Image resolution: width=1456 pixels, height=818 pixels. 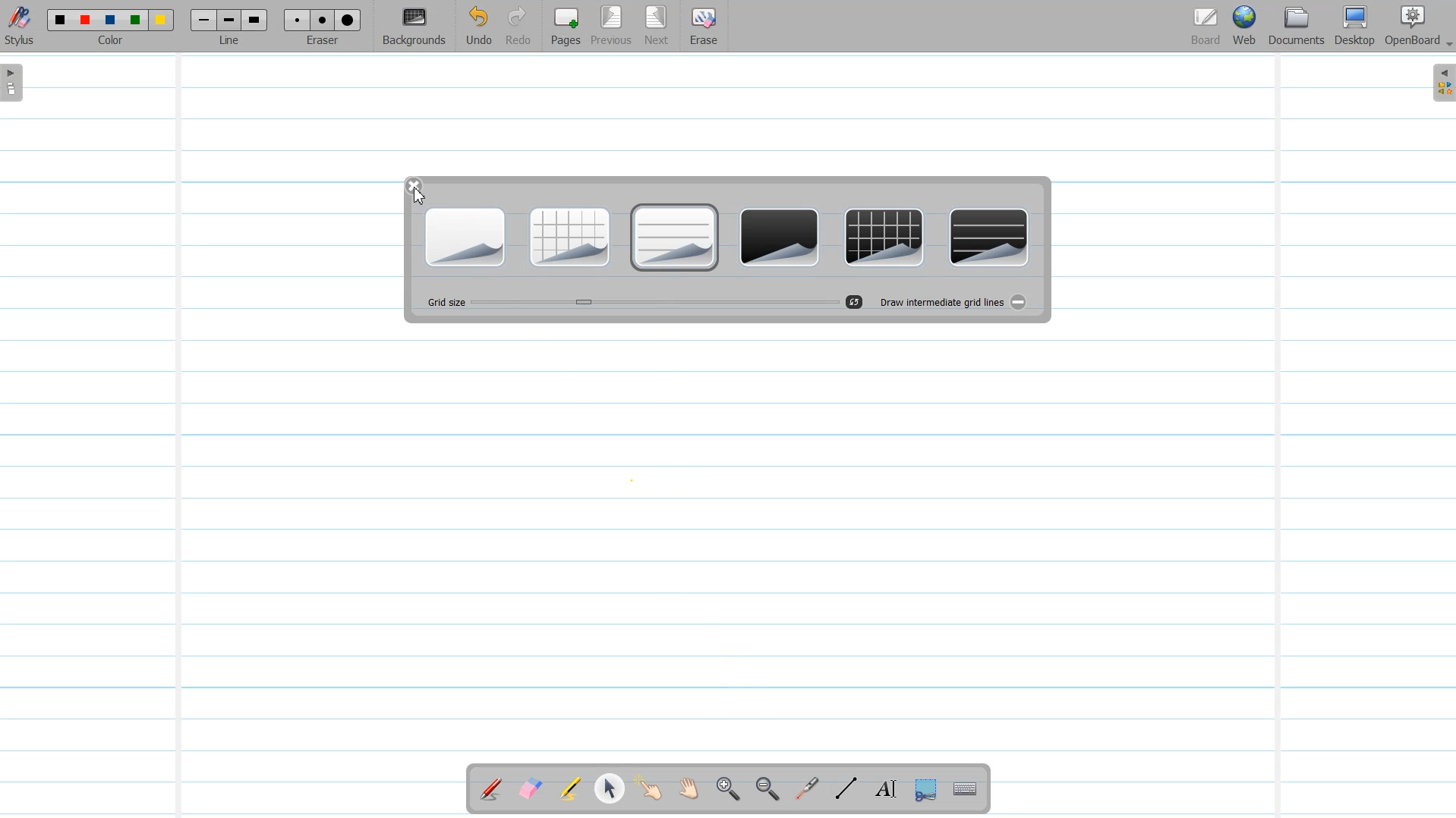 I want to click on Drop Down Box, so click(x=1447, y=45).